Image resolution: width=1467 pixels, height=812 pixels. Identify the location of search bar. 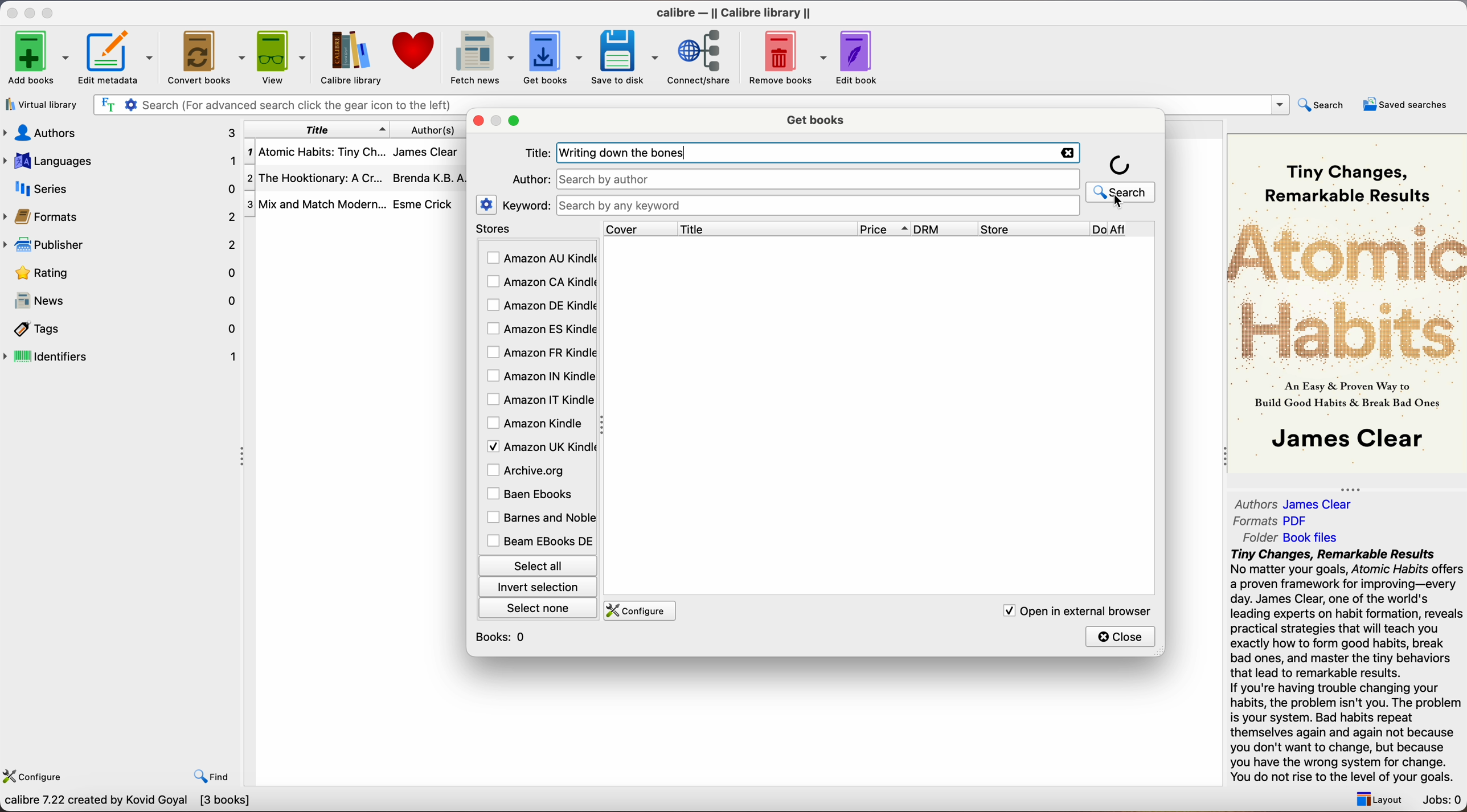
(817, 206).